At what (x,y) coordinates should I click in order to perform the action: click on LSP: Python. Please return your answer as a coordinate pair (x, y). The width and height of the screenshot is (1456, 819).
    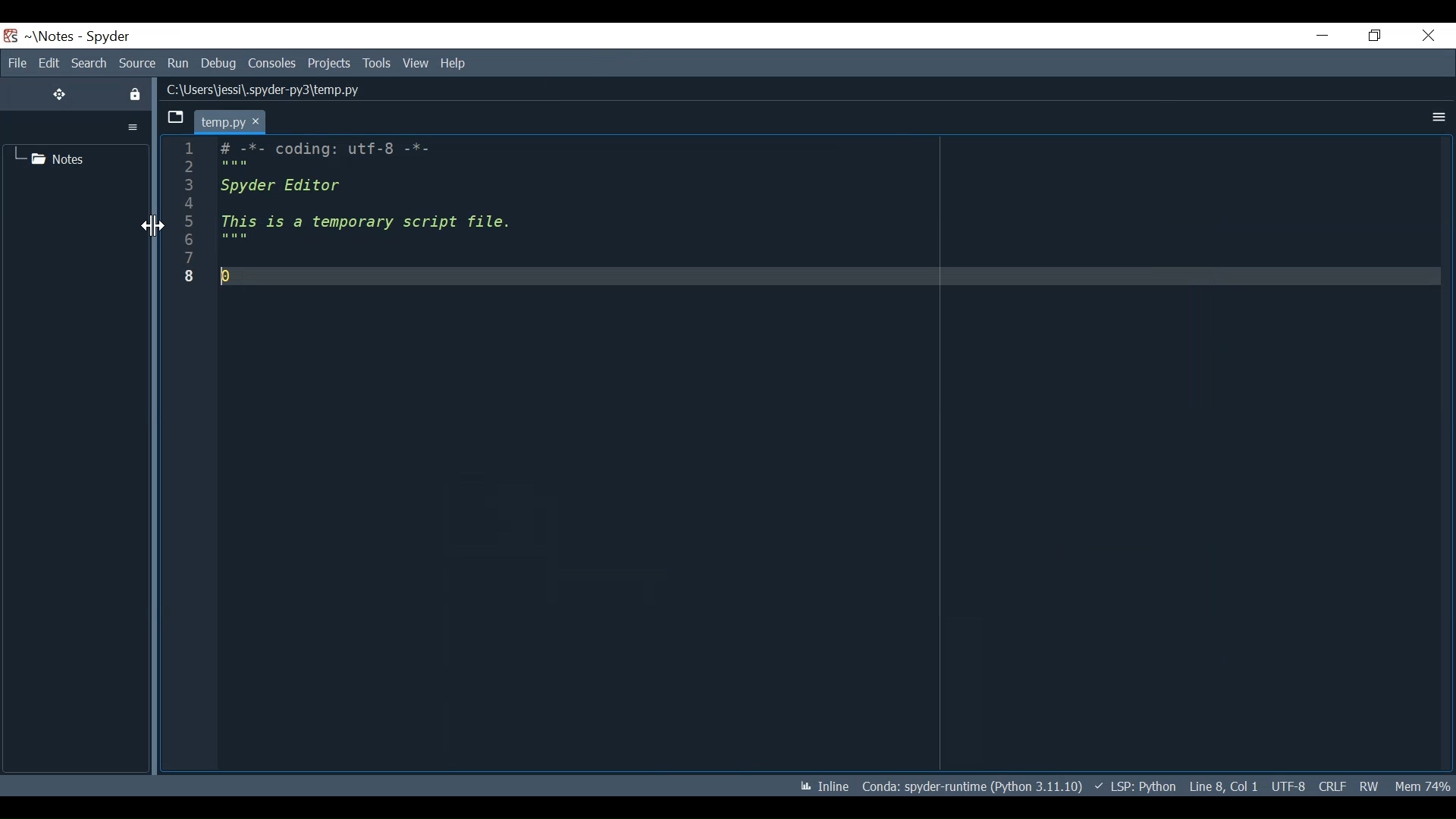
    Looking at the image, I should click on (1134, 786).